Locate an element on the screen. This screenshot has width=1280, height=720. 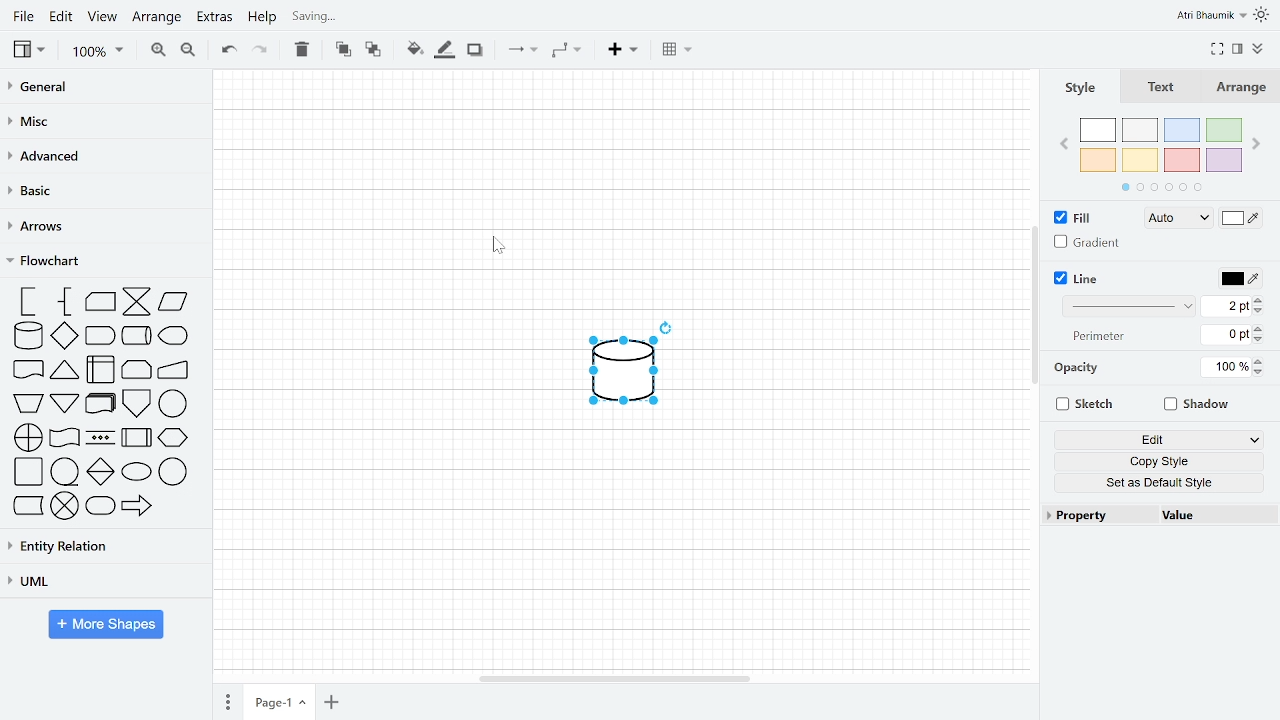
Inserted shape is located at coordinates (629, 376).